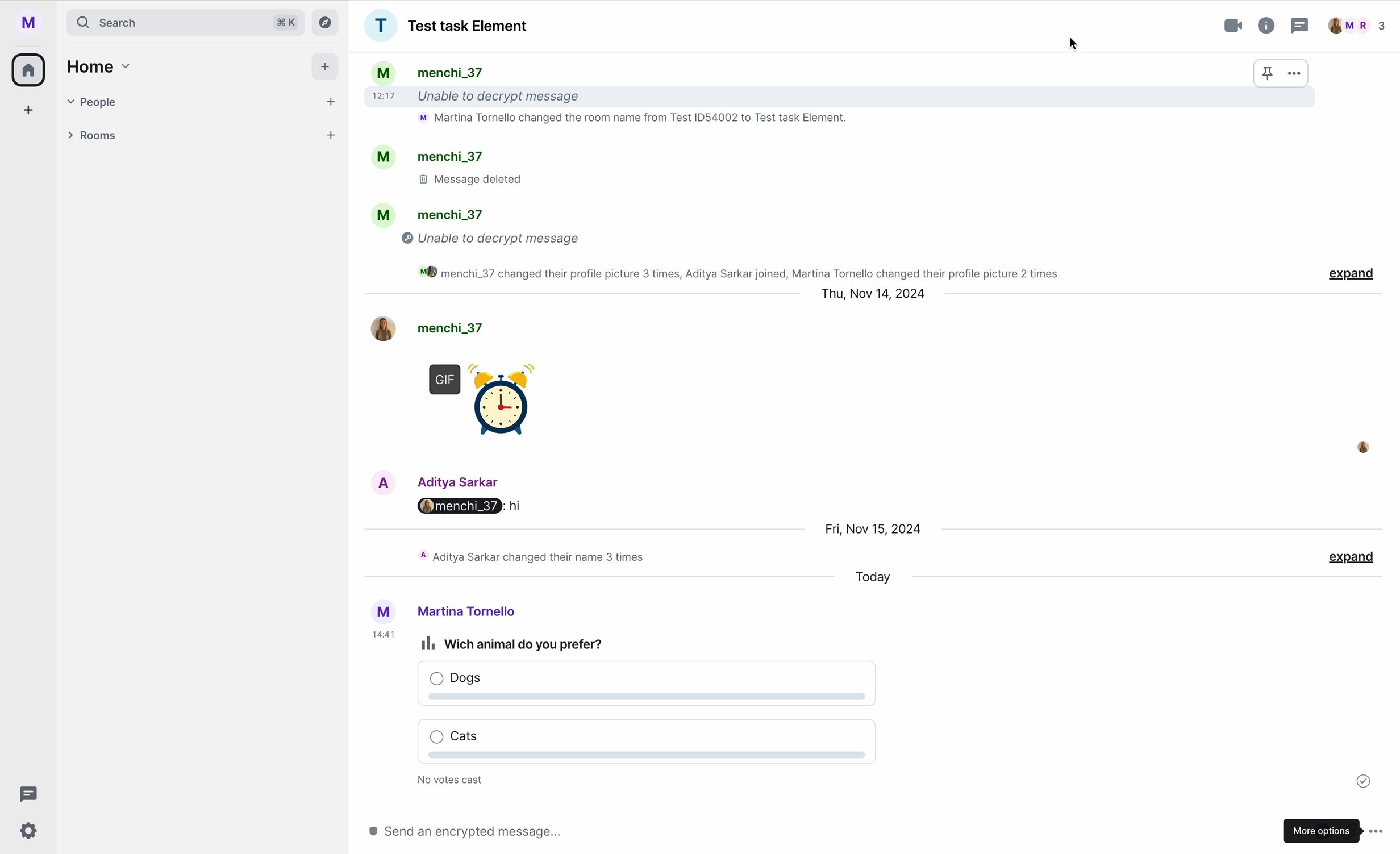 Image resolution: width=1400 pixels, height=854 pixels. I want to click on search tab, so click(185, 22).